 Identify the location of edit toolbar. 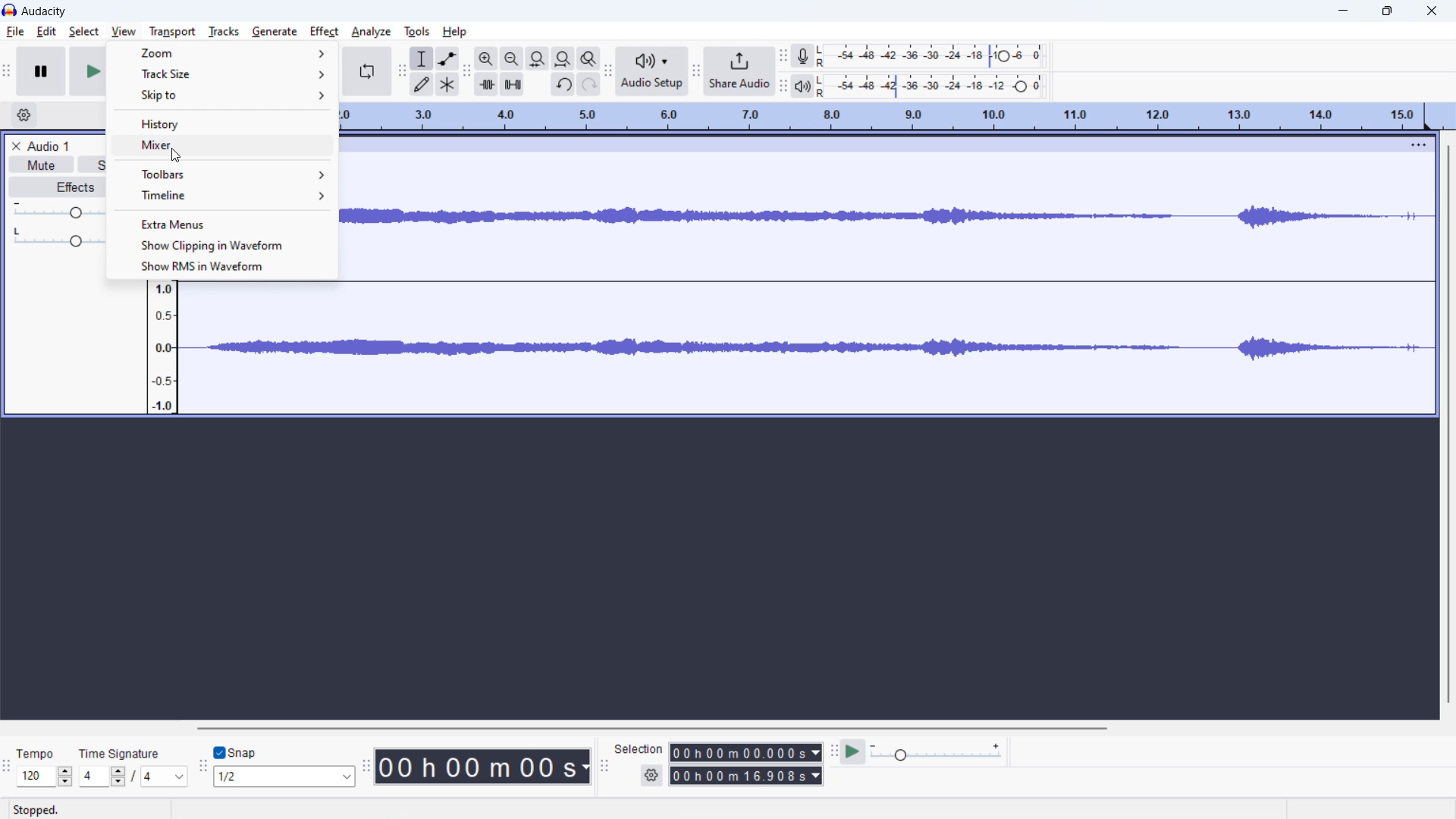
(466, 70).